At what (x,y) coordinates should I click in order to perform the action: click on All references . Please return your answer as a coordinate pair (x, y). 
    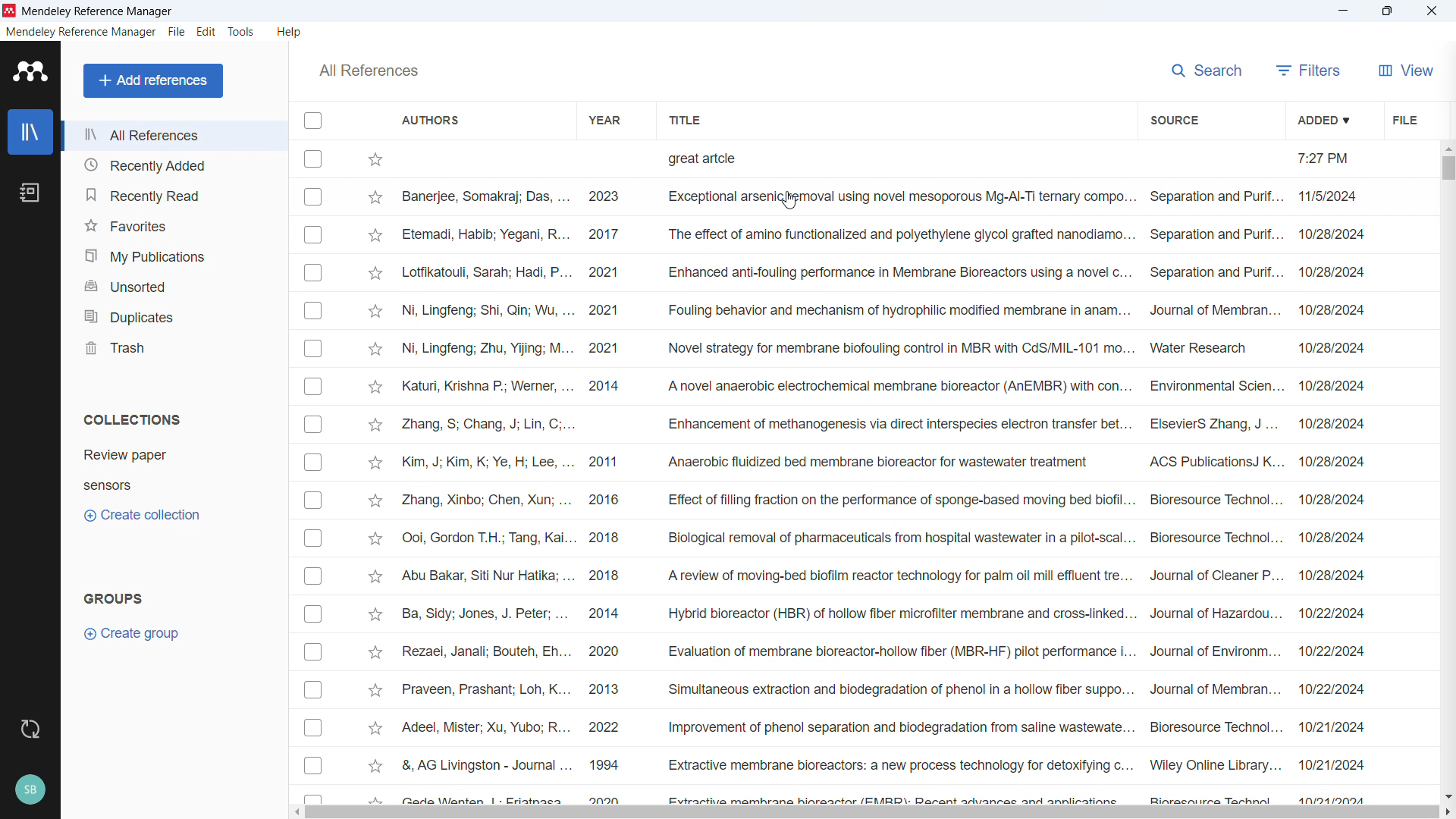
    Looking at the image, I should click on (368, 71).